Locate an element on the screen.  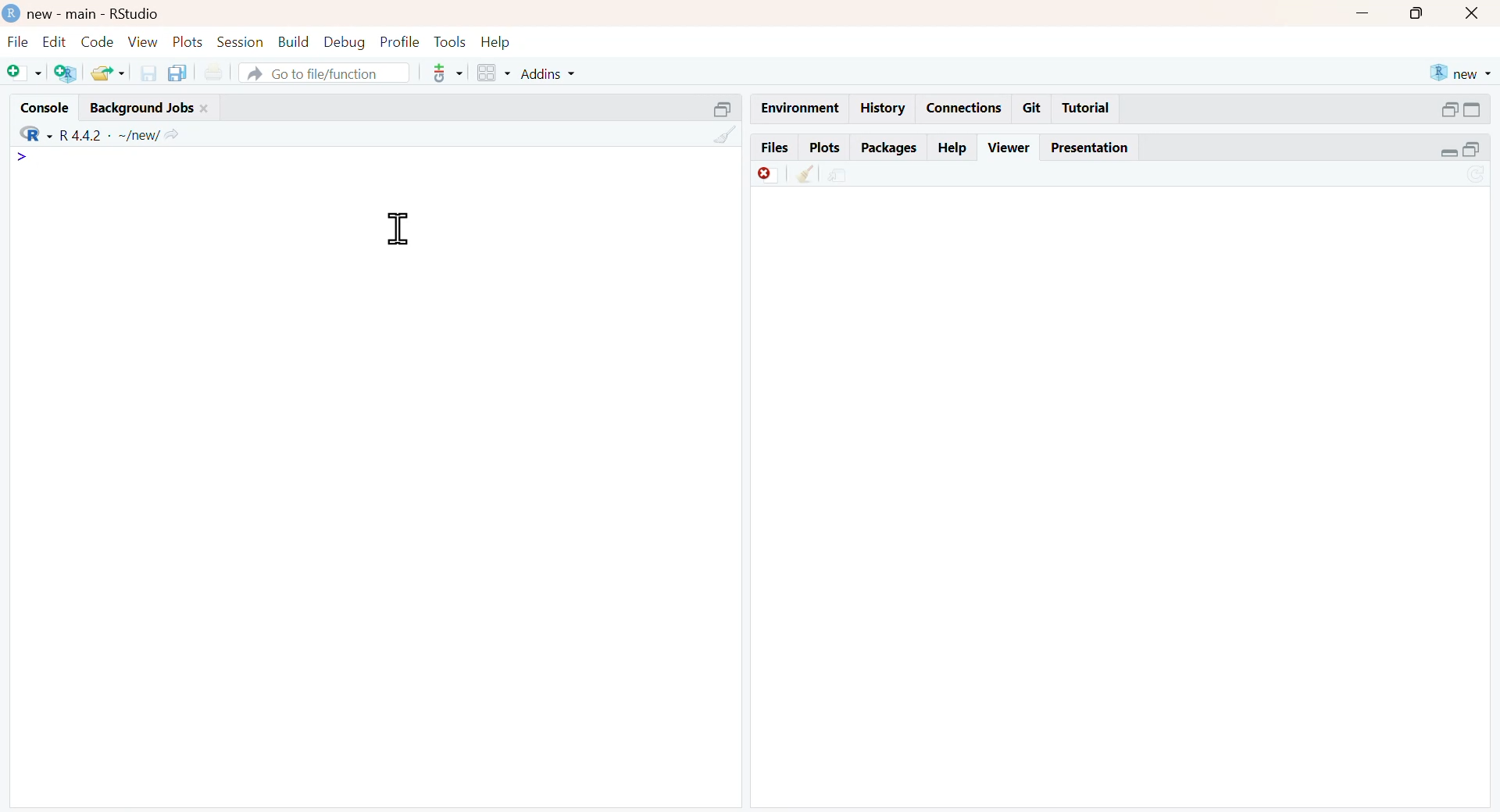
maximize is located at coordinates (1417, 14).